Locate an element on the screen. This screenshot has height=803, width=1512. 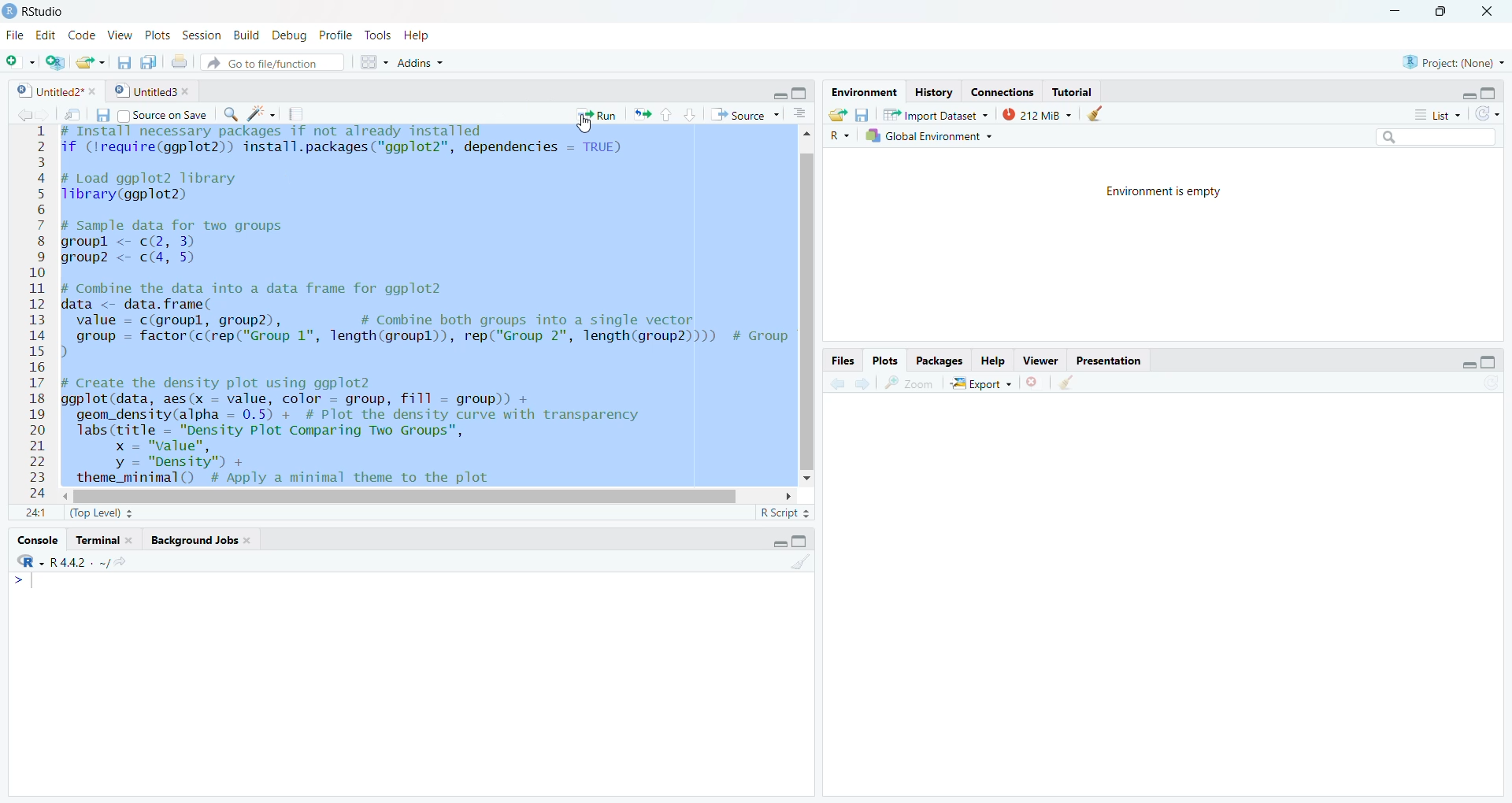
save is located at coordinates (100, 114).